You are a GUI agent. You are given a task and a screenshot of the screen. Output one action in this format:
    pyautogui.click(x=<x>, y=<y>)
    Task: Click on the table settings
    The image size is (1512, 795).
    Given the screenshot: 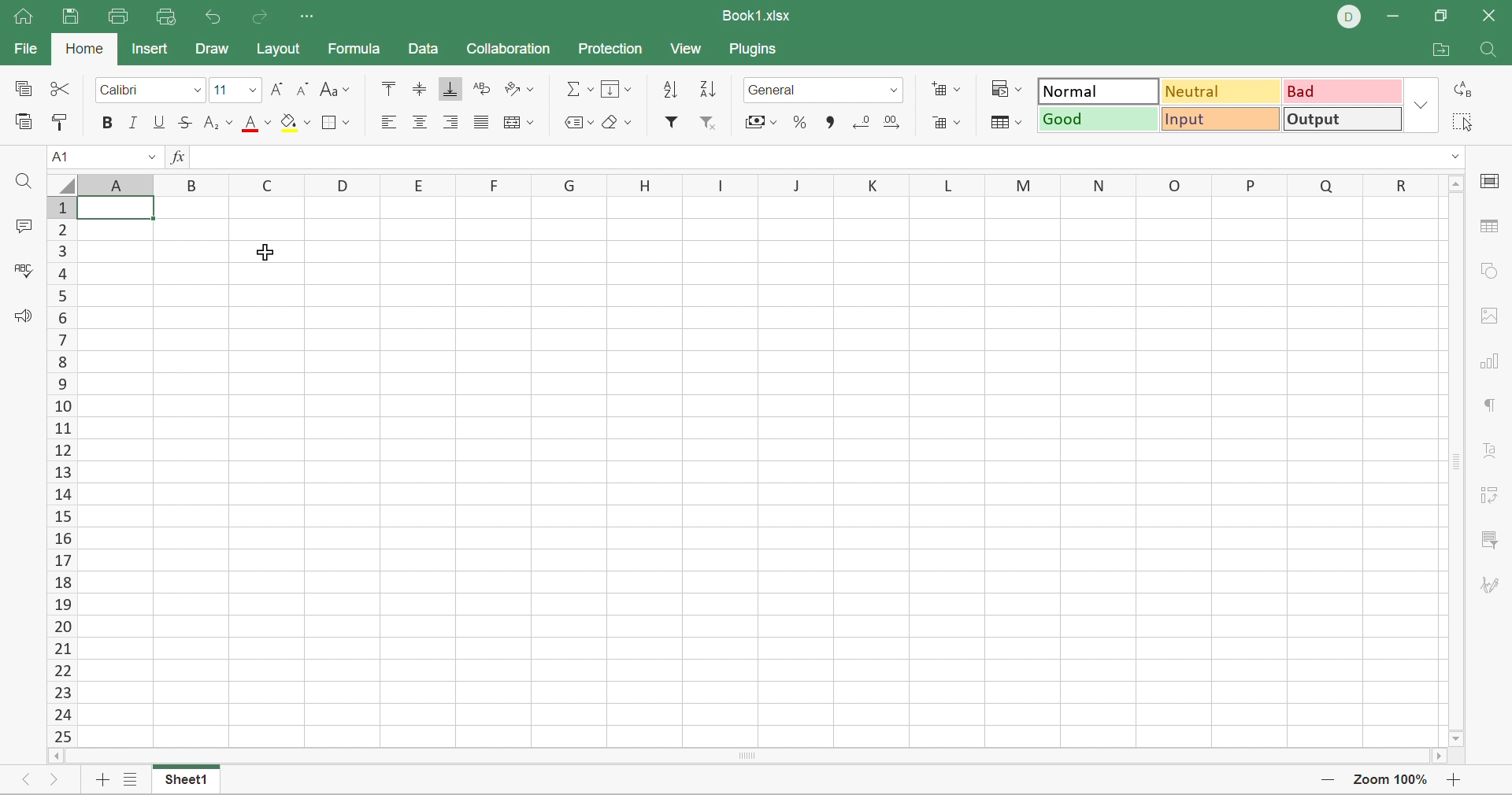 What is the action you would take?
    pyautogui.click(x=1490, y=227)
    